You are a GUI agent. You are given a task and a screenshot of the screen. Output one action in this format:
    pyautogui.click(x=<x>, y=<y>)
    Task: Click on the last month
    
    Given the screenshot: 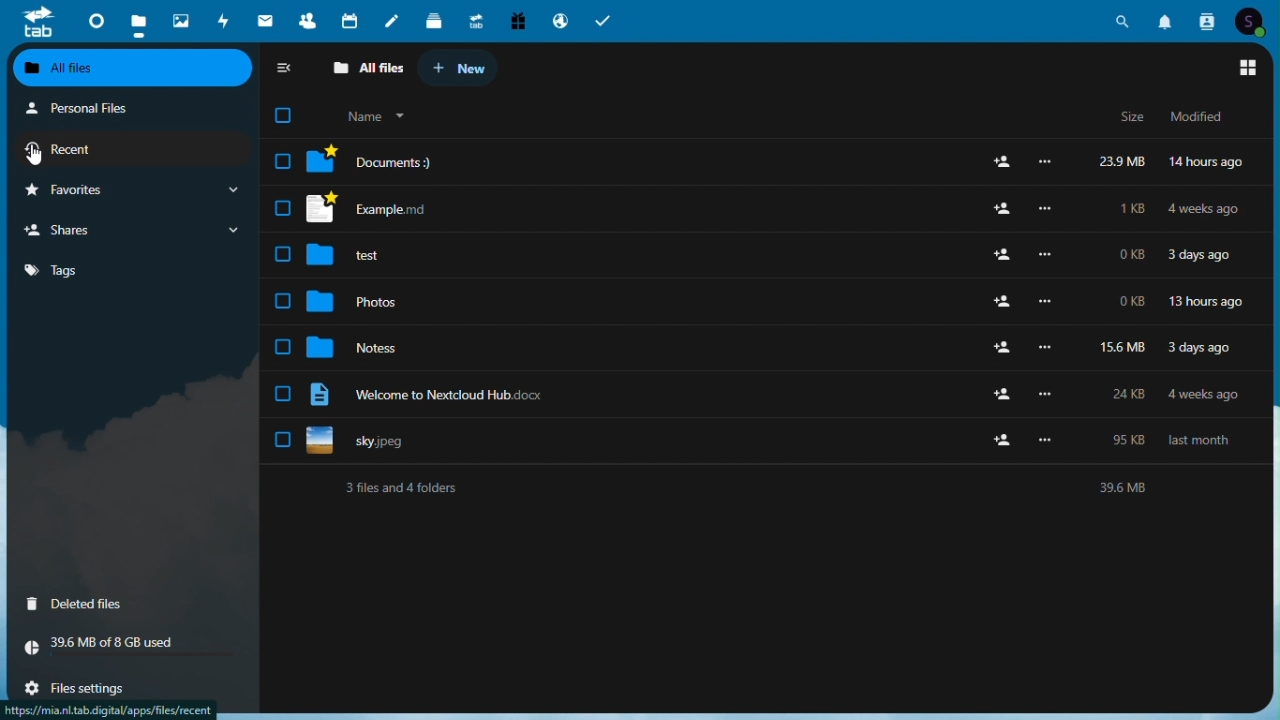 What is the action you would take?
    pyautogui.click(x=1200, y=441)
    